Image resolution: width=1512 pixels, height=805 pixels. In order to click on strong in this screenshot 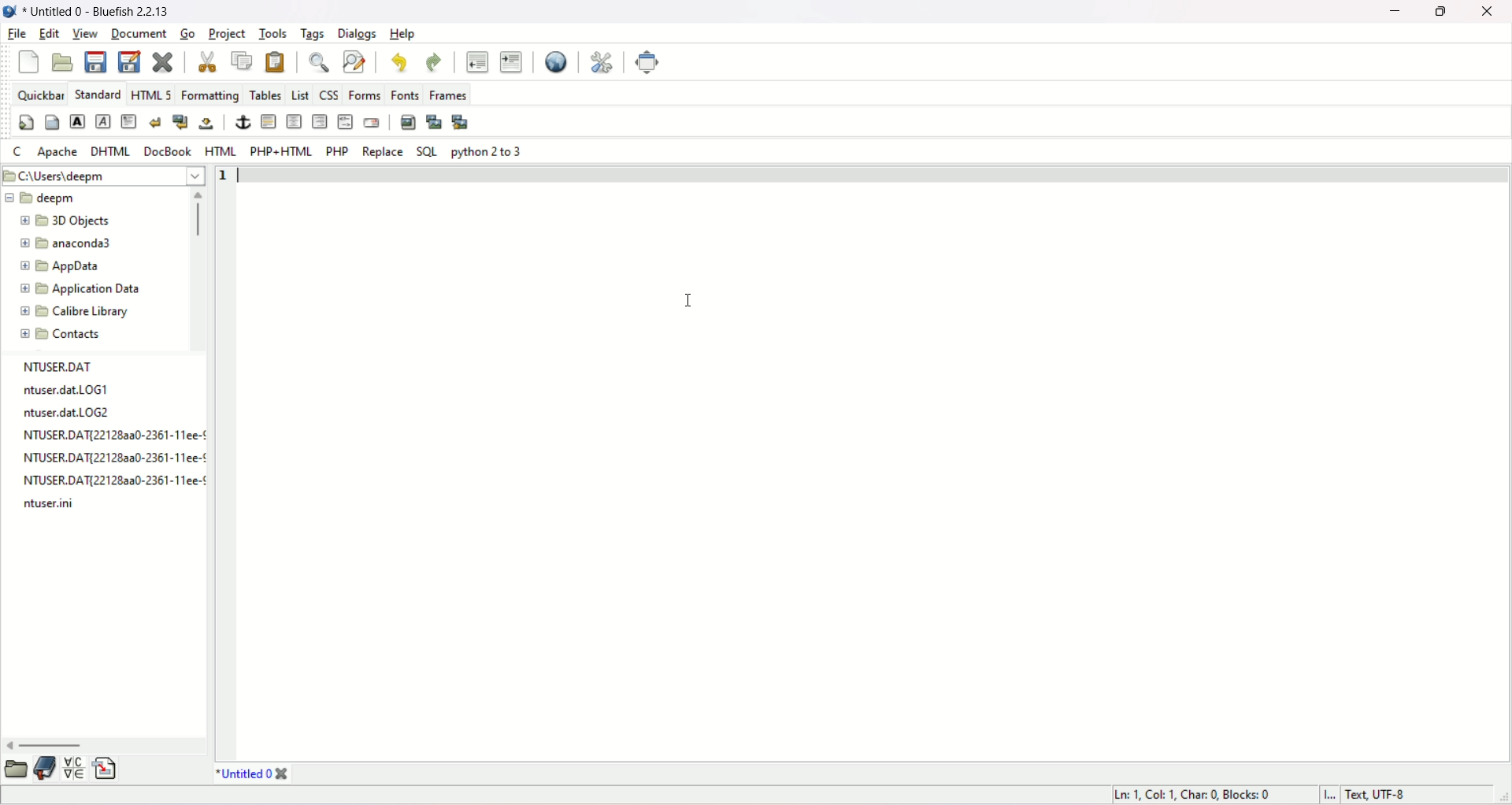, I will do `click(79, 121)`.